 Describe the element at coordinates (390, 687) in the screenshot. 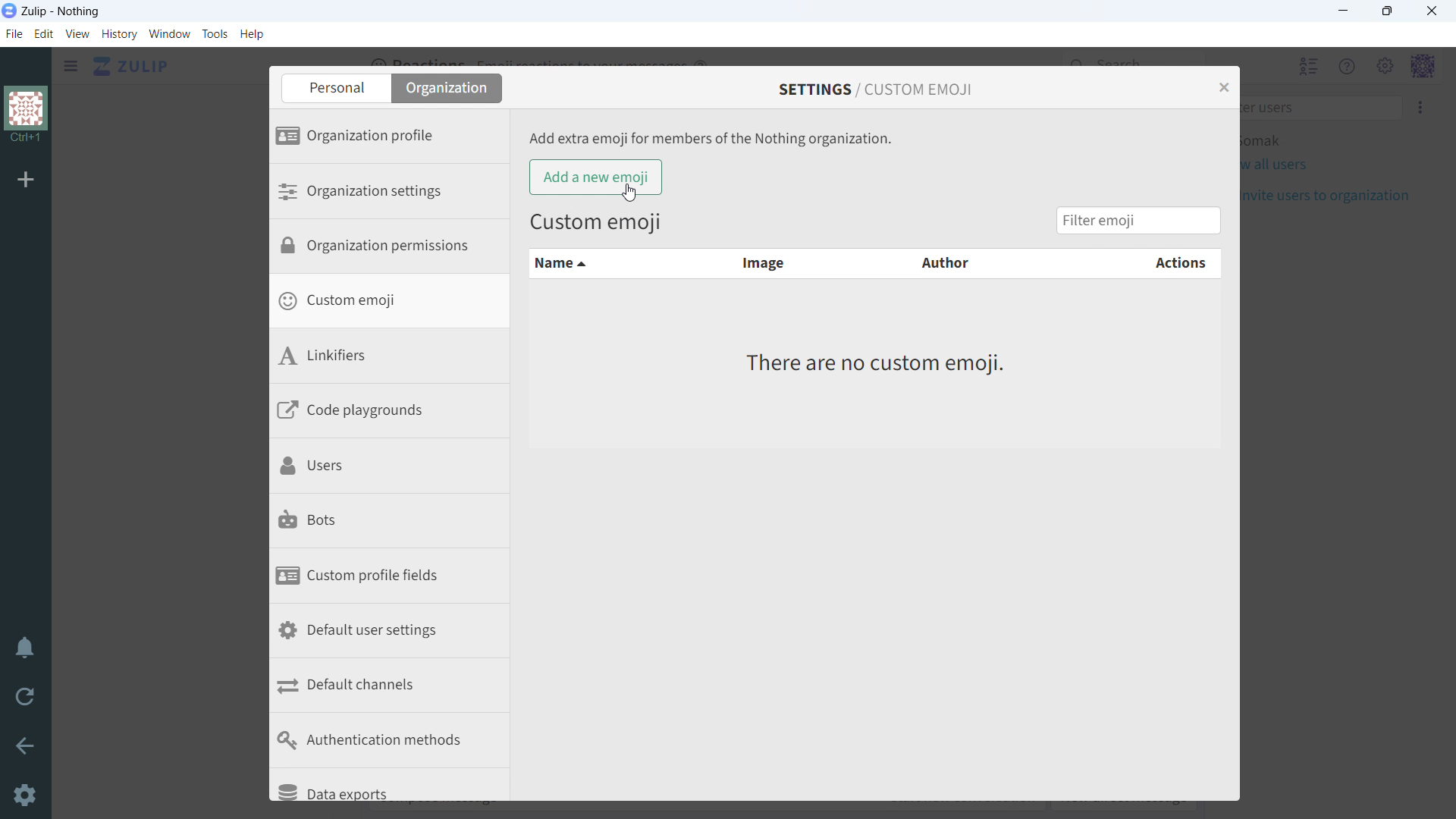

I see `default channels` at that location.